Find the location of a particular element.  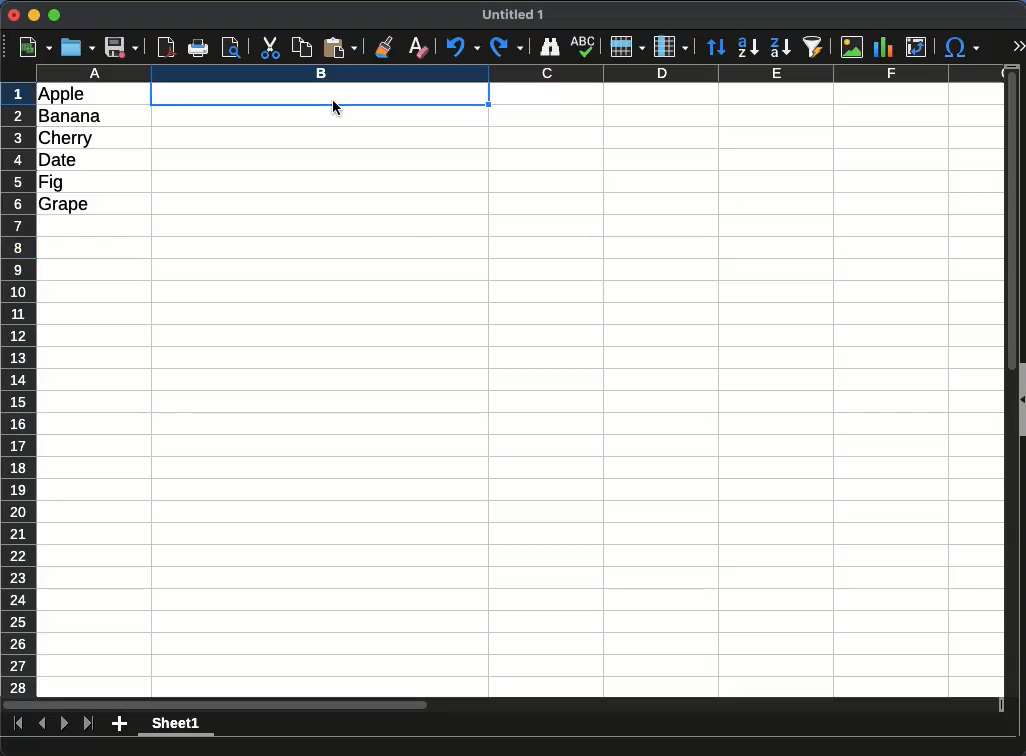

last sheet is located at coordinates (89, 724).